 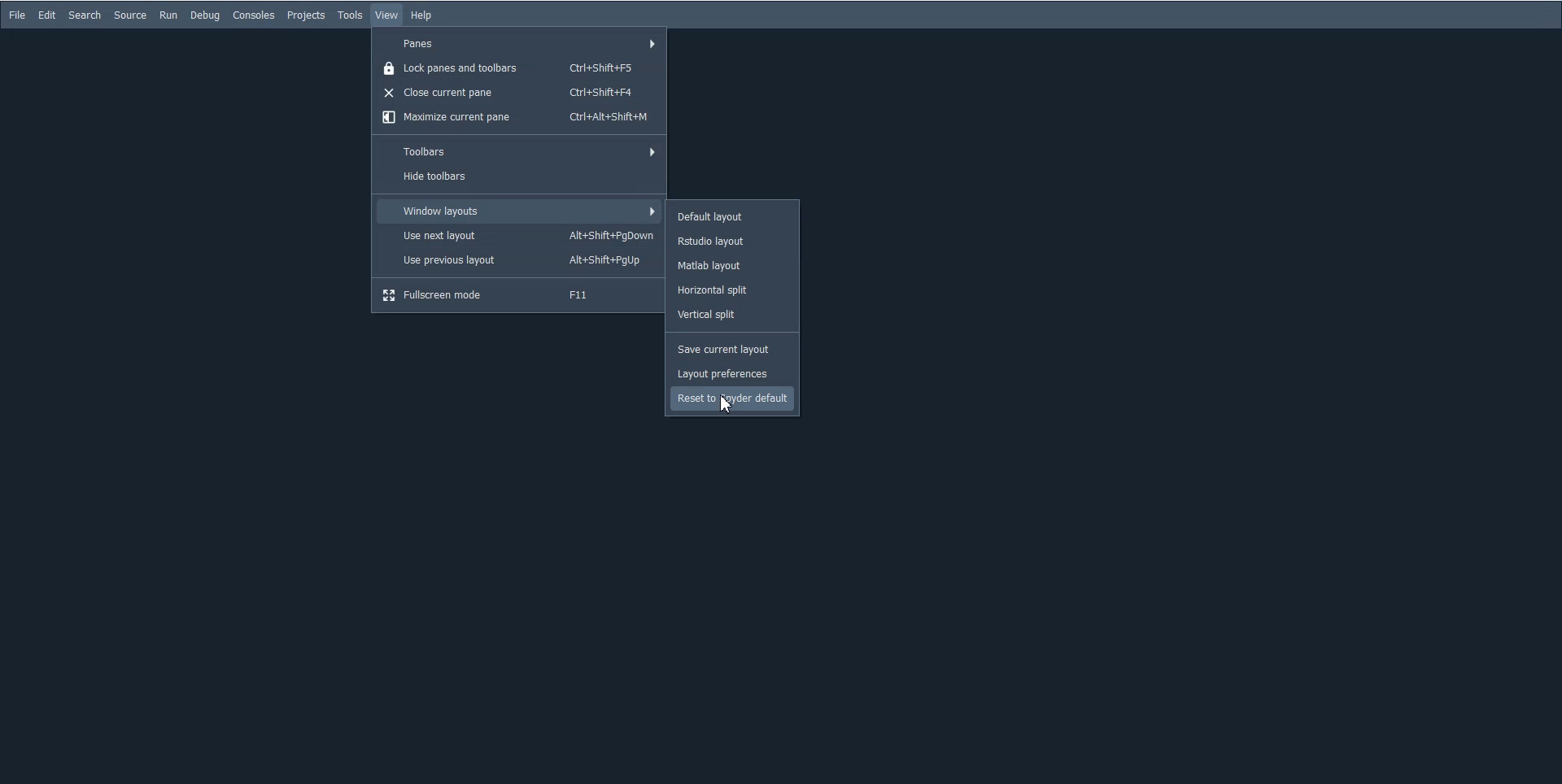 I want to click on RUN, so click(x=168, y=15).